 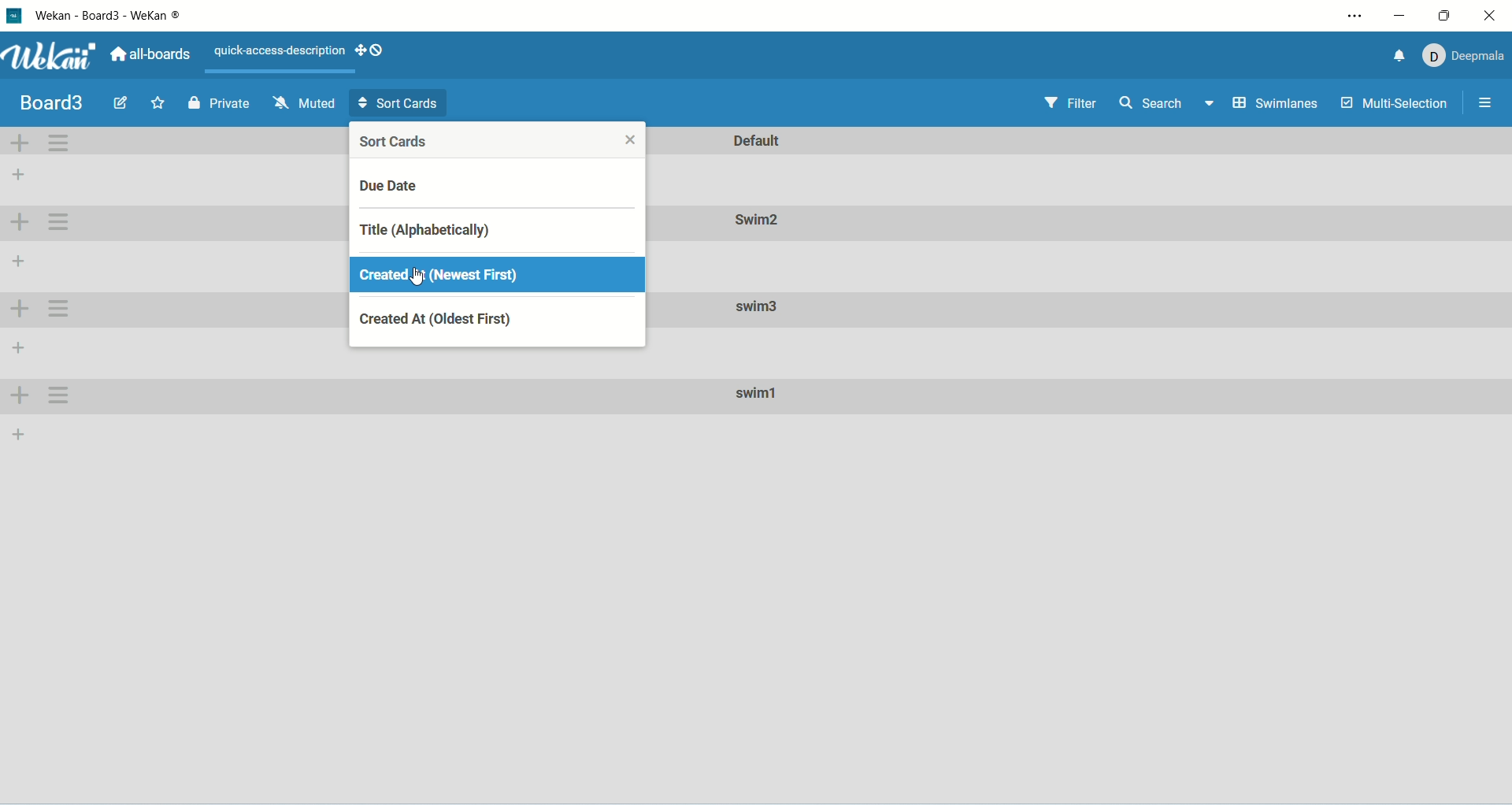 I want to click on private, so click(x=220, y=102).